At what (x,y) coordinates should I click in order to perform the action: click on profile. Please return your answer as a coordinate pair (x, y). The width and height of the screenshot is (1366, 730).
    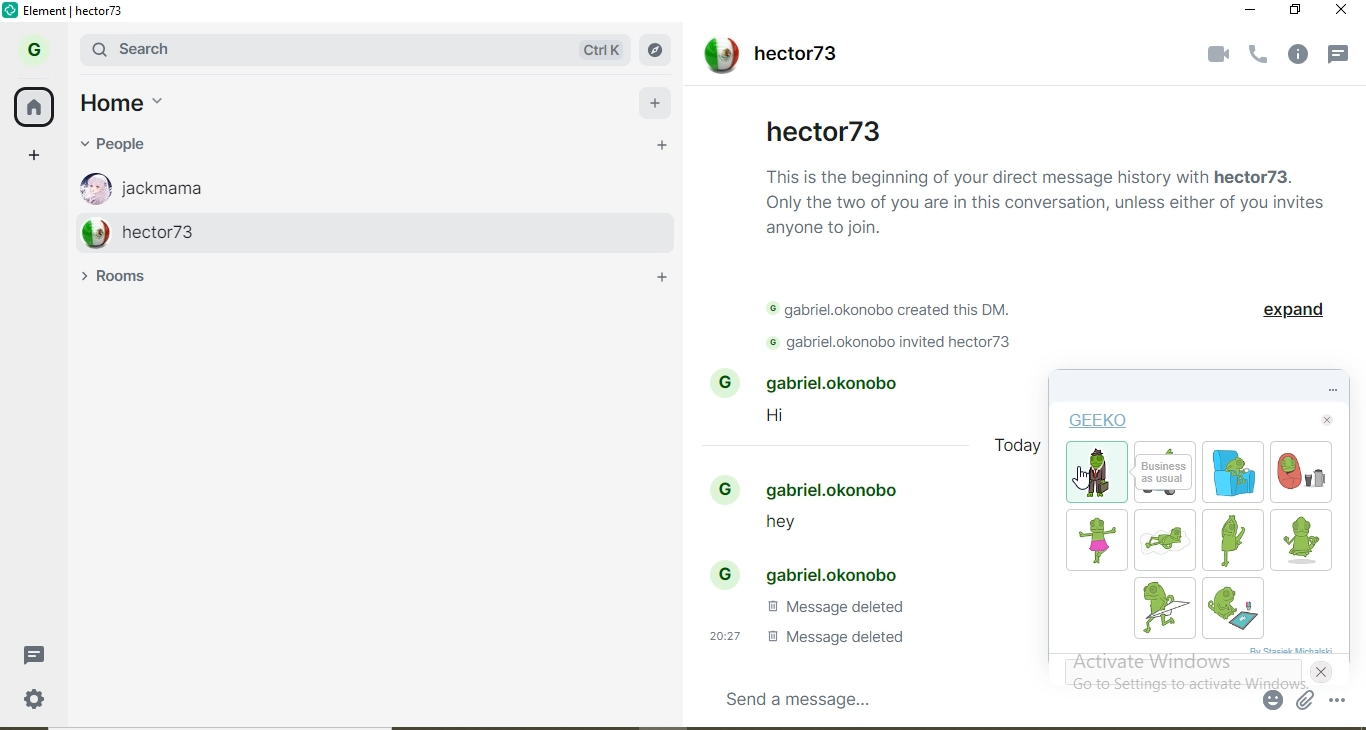
    Looking at the image, I should click on (39, 47).